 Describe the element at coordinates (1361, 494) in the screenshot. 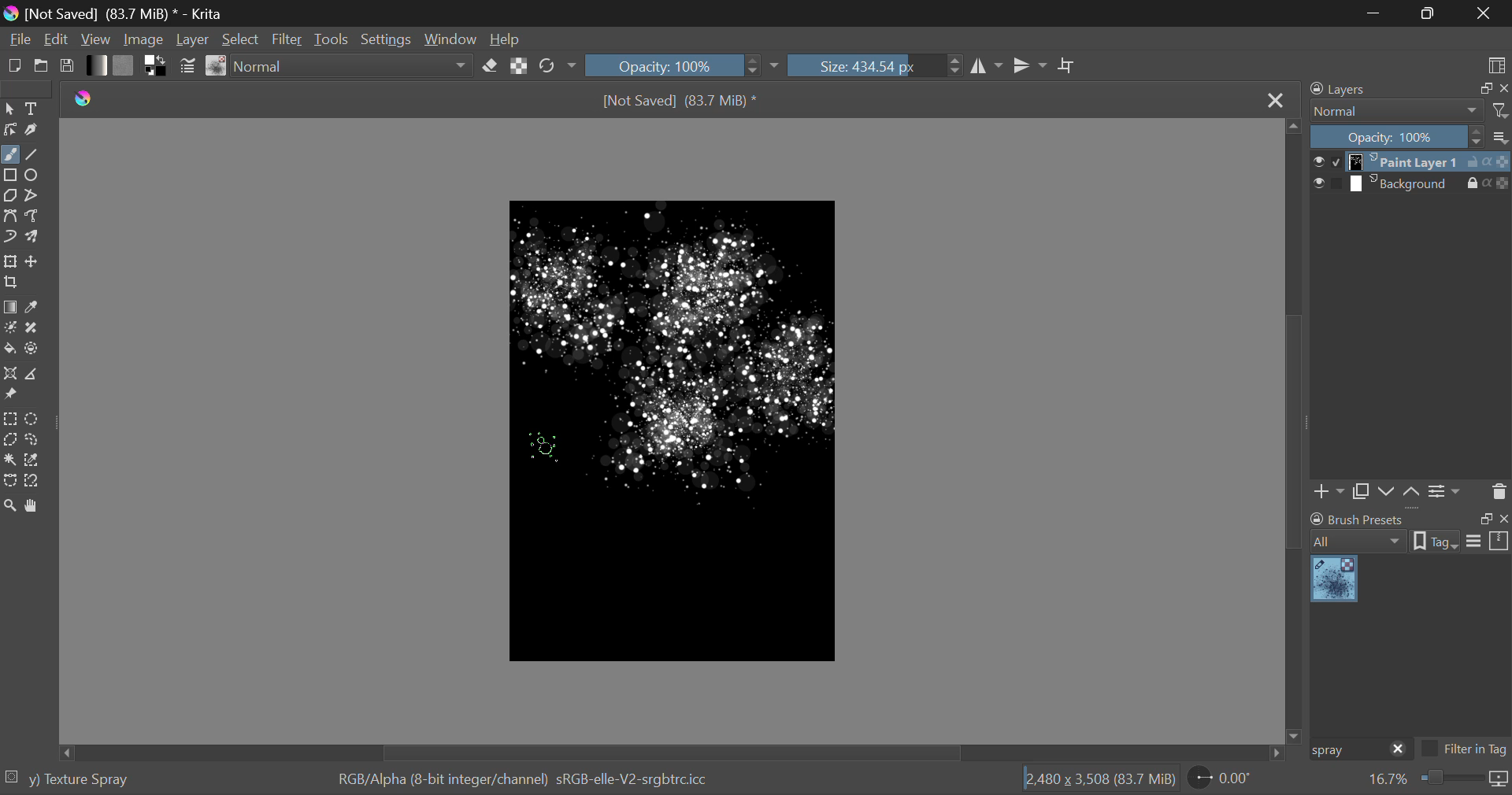

I see `Copy Layer` at that location.